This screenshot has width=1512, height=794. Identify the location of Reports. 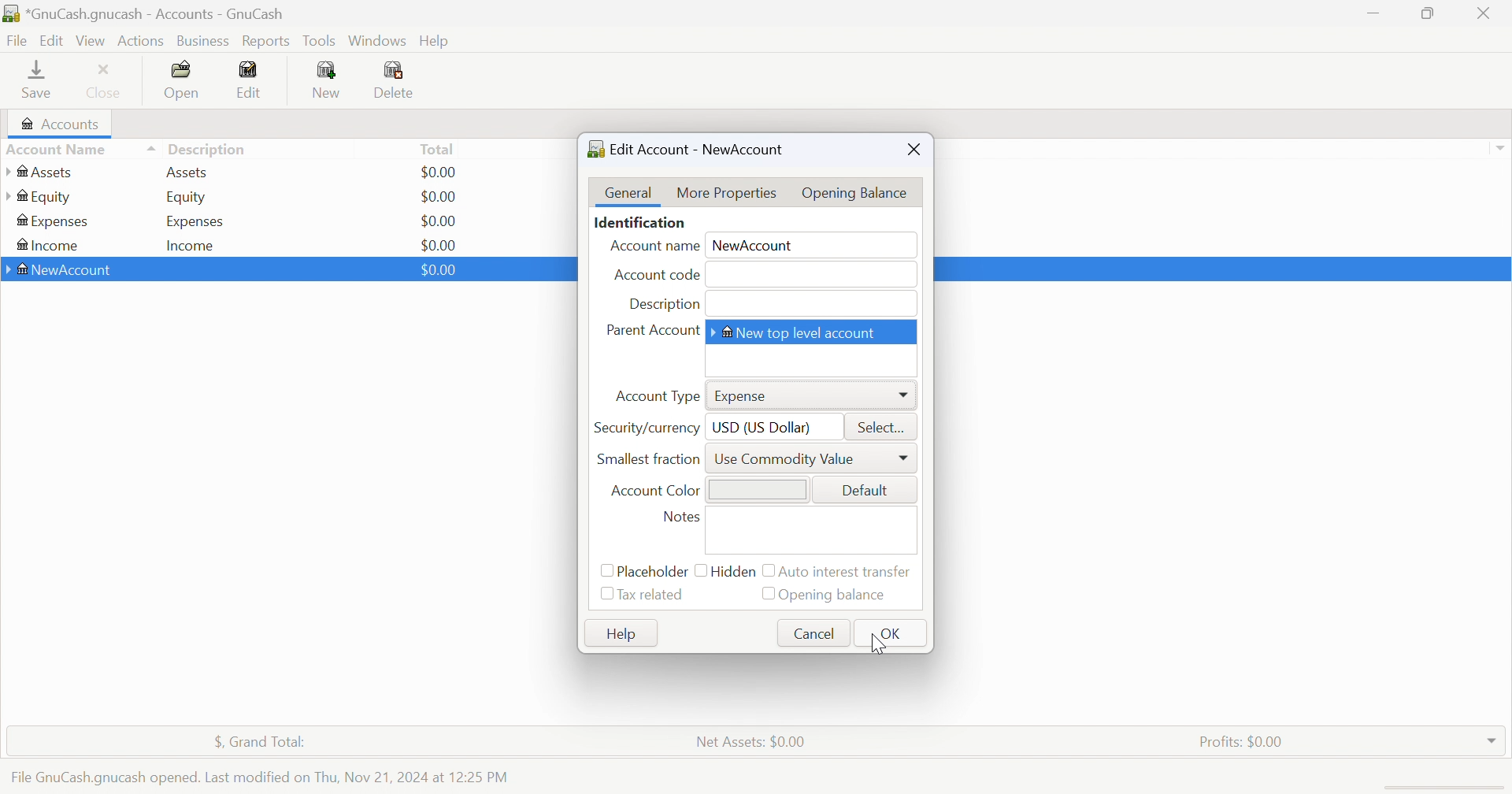
(265, 42).